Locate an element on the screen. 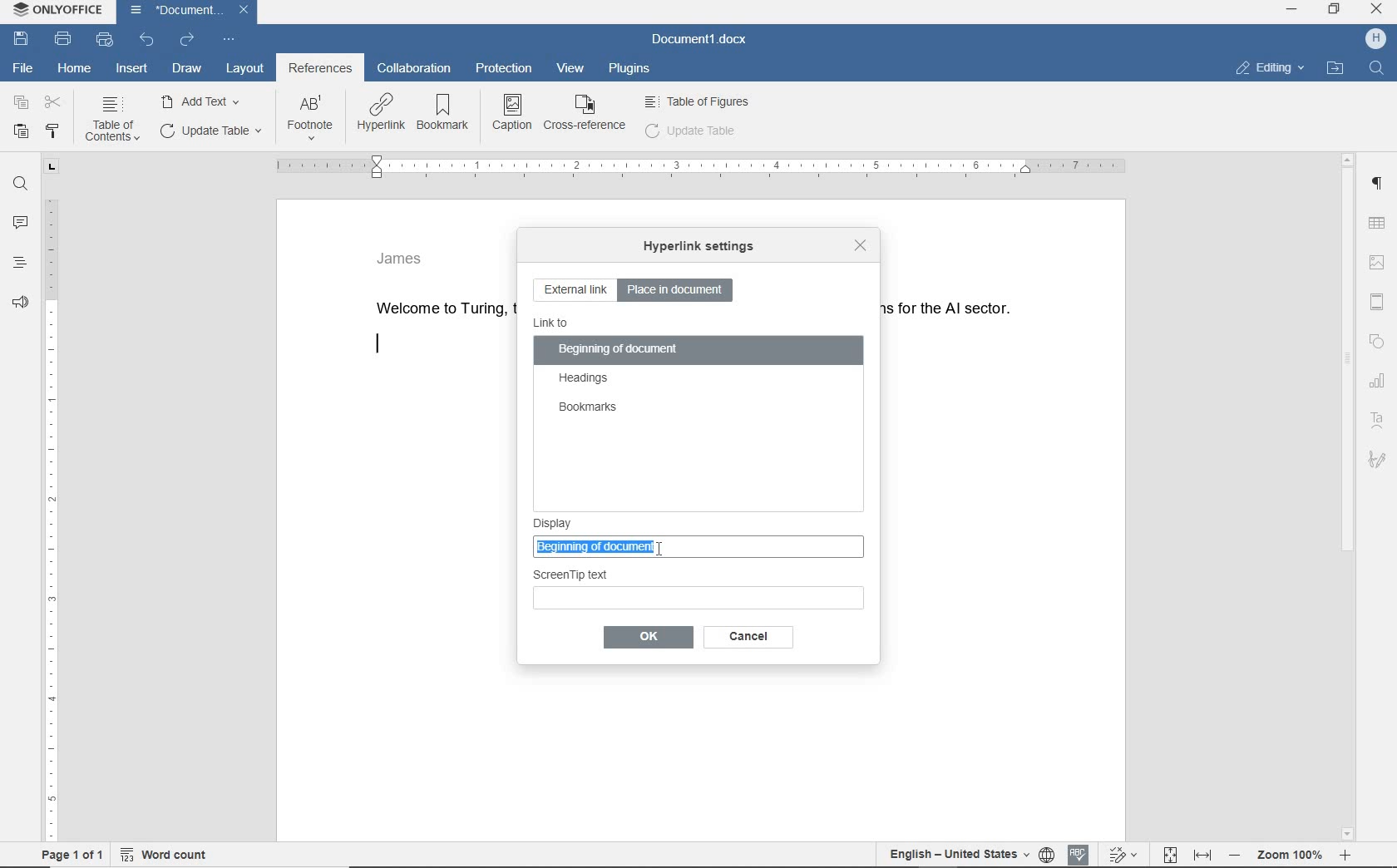  HYPERLINK is located at coordinates (380, 114).